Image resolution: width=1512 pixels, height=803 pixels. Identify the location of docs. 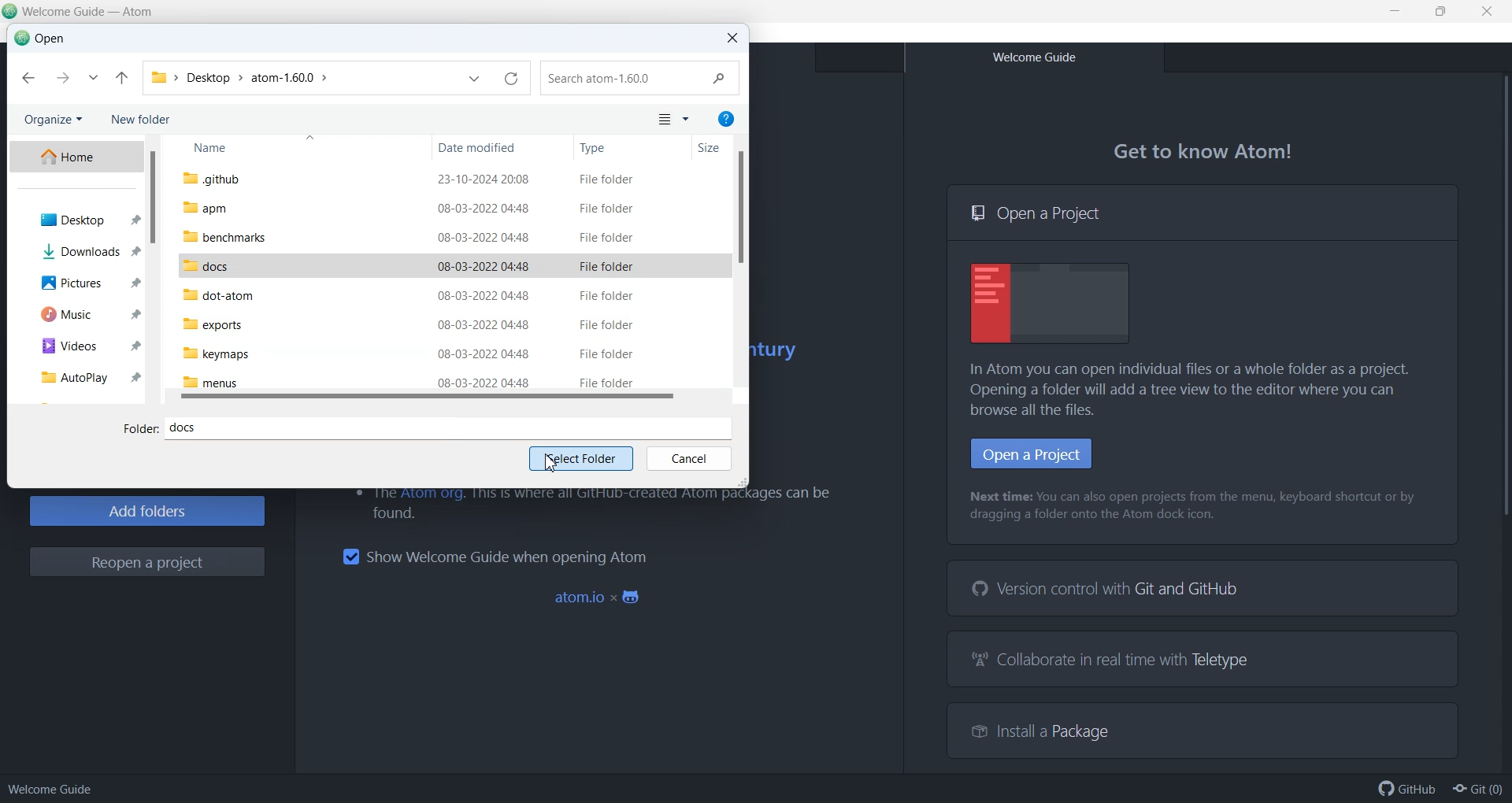
(206, 267).